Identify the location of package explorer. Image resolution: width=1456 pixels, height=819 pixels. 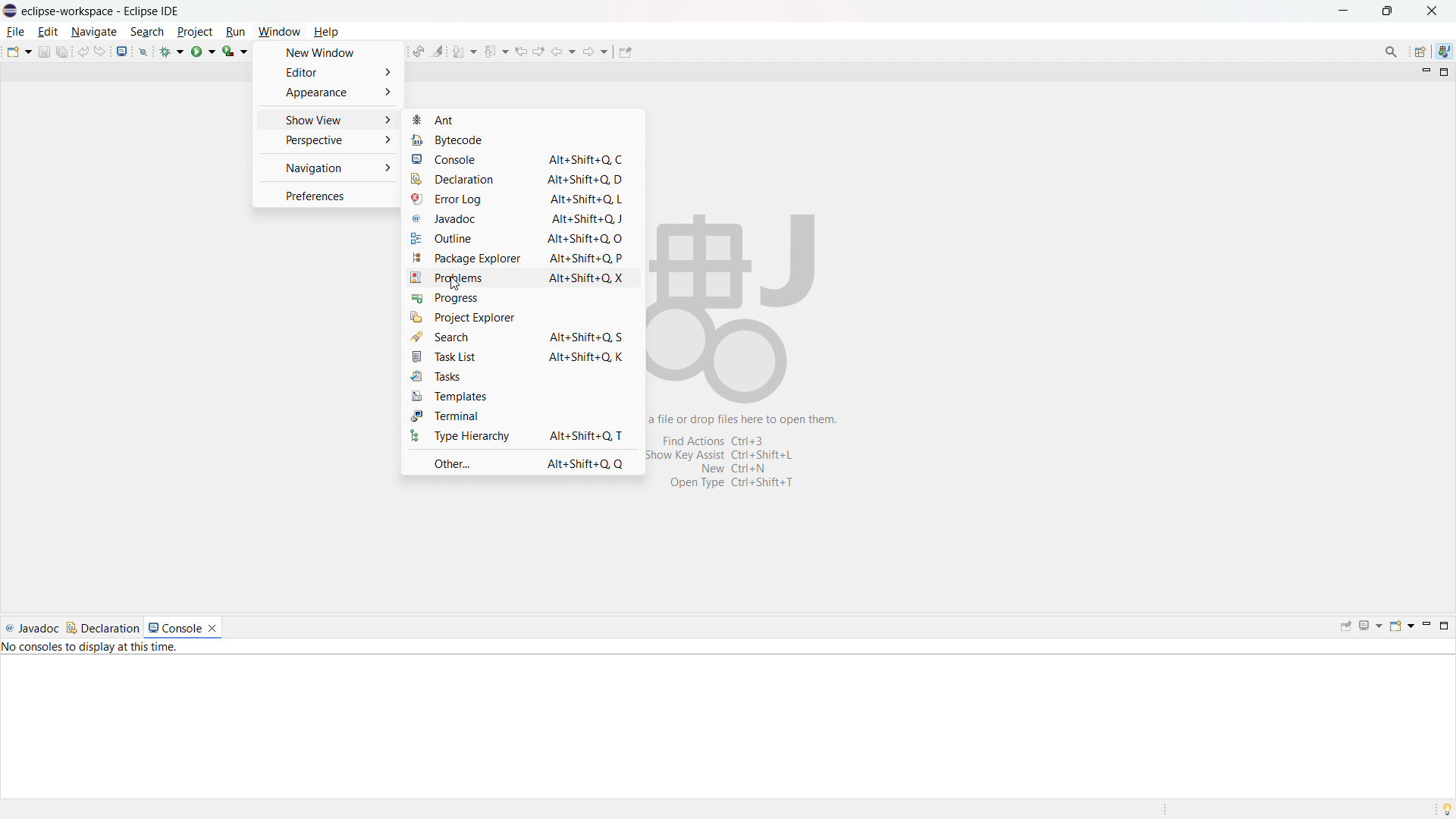
(521, 258).